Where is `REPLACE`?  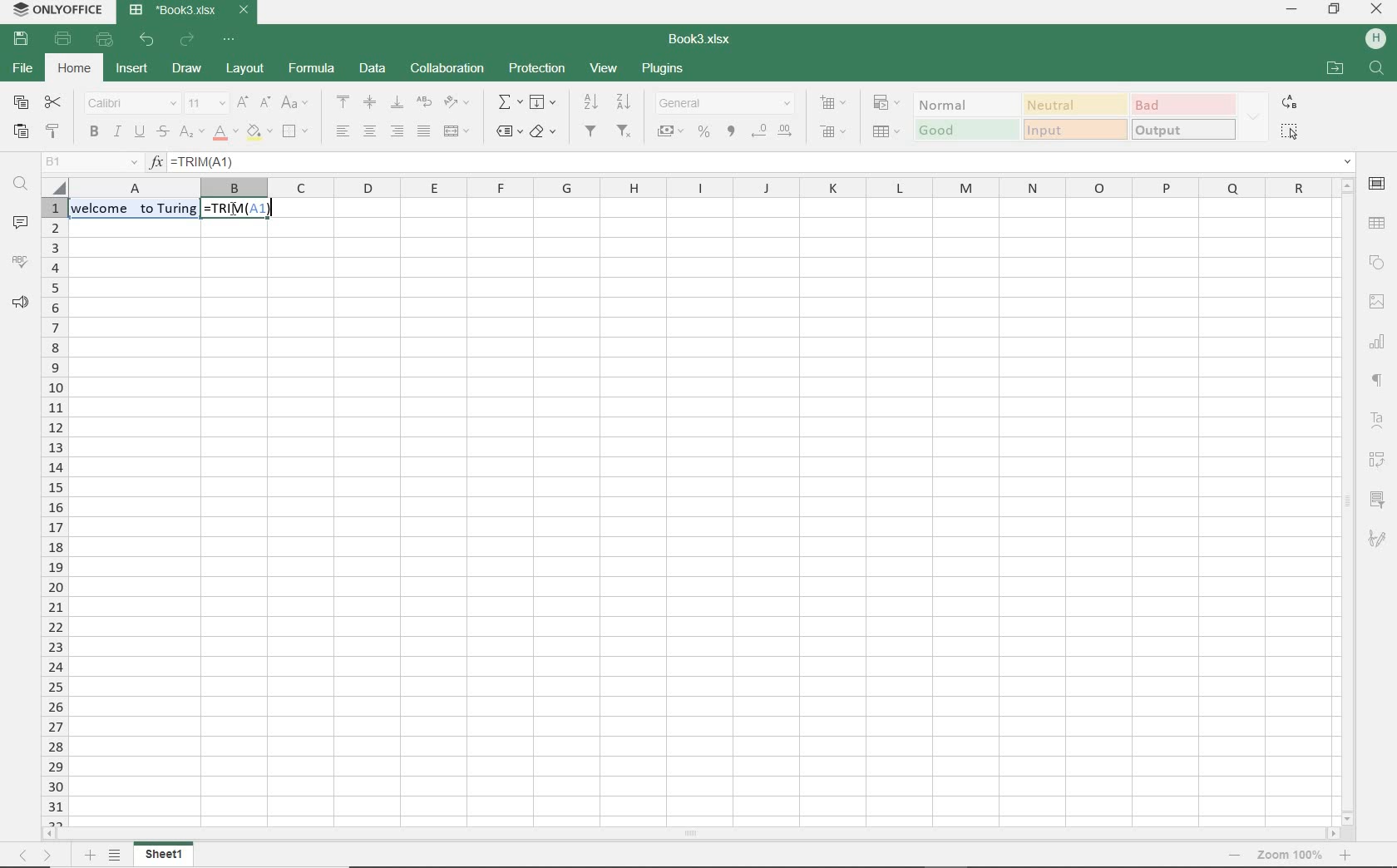 REPLACE is located at coordinates (1289, 101).